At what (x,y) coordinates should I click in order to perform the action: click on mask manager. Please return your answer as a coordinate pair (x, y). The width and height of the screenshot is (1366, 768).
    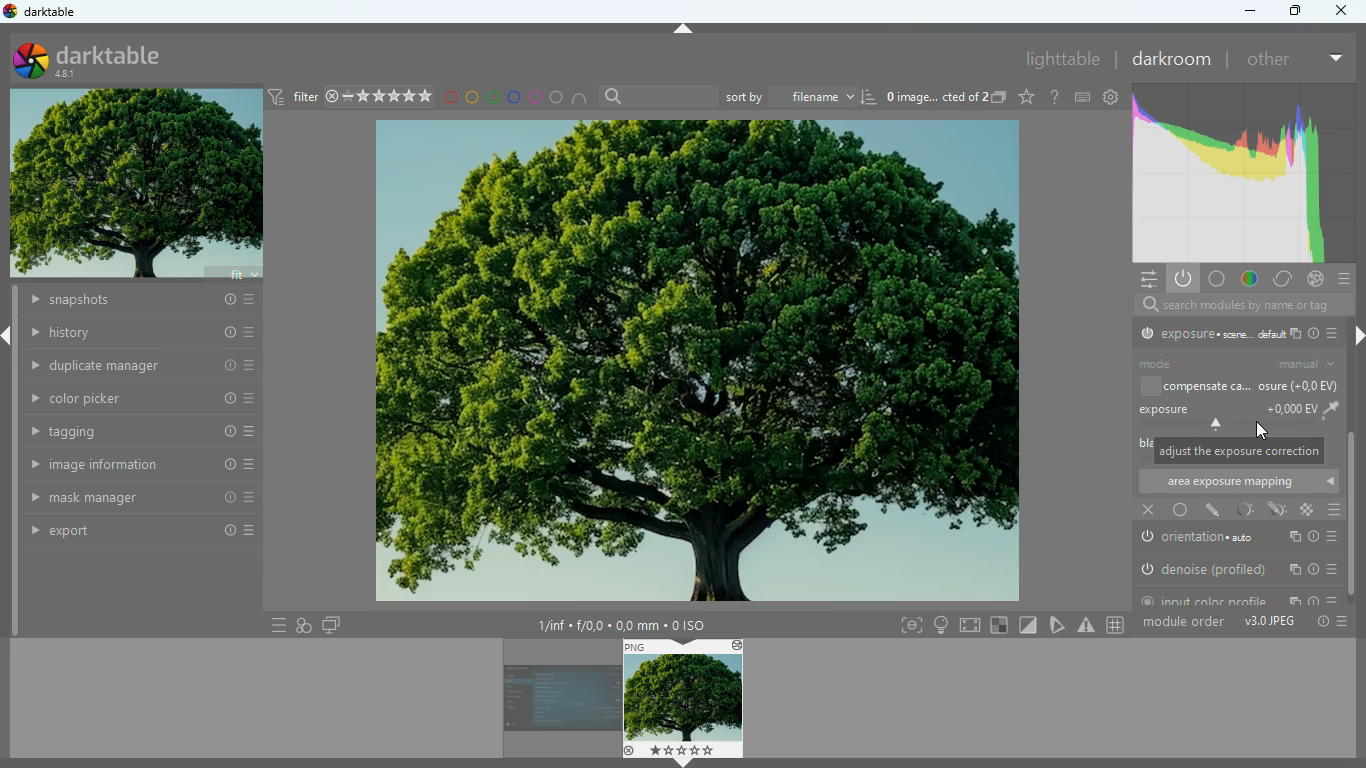
    Looking at the image, I should click on (131, 500).